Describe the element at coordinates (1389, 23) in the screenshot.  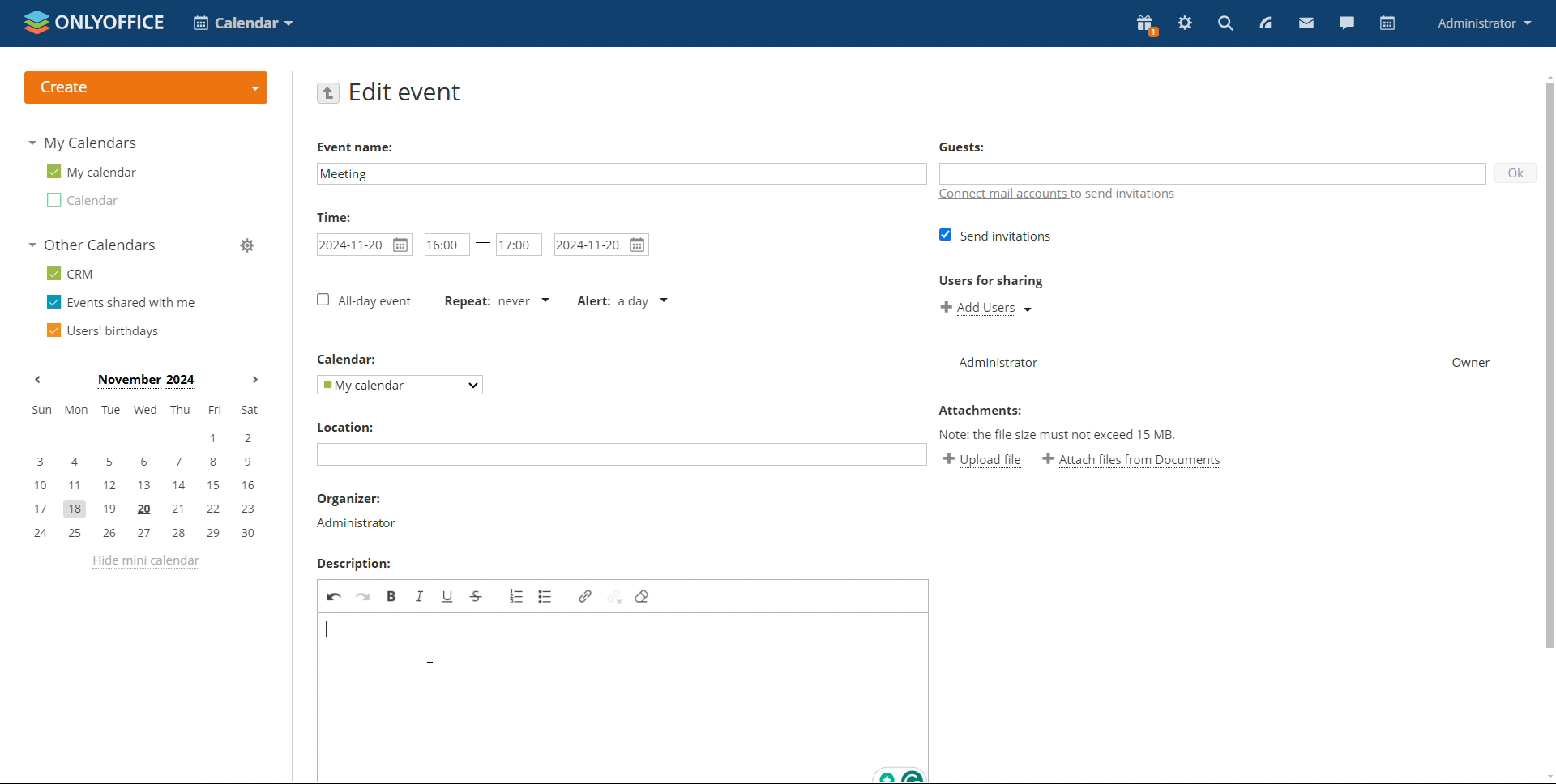
I see `calendar` at that location.